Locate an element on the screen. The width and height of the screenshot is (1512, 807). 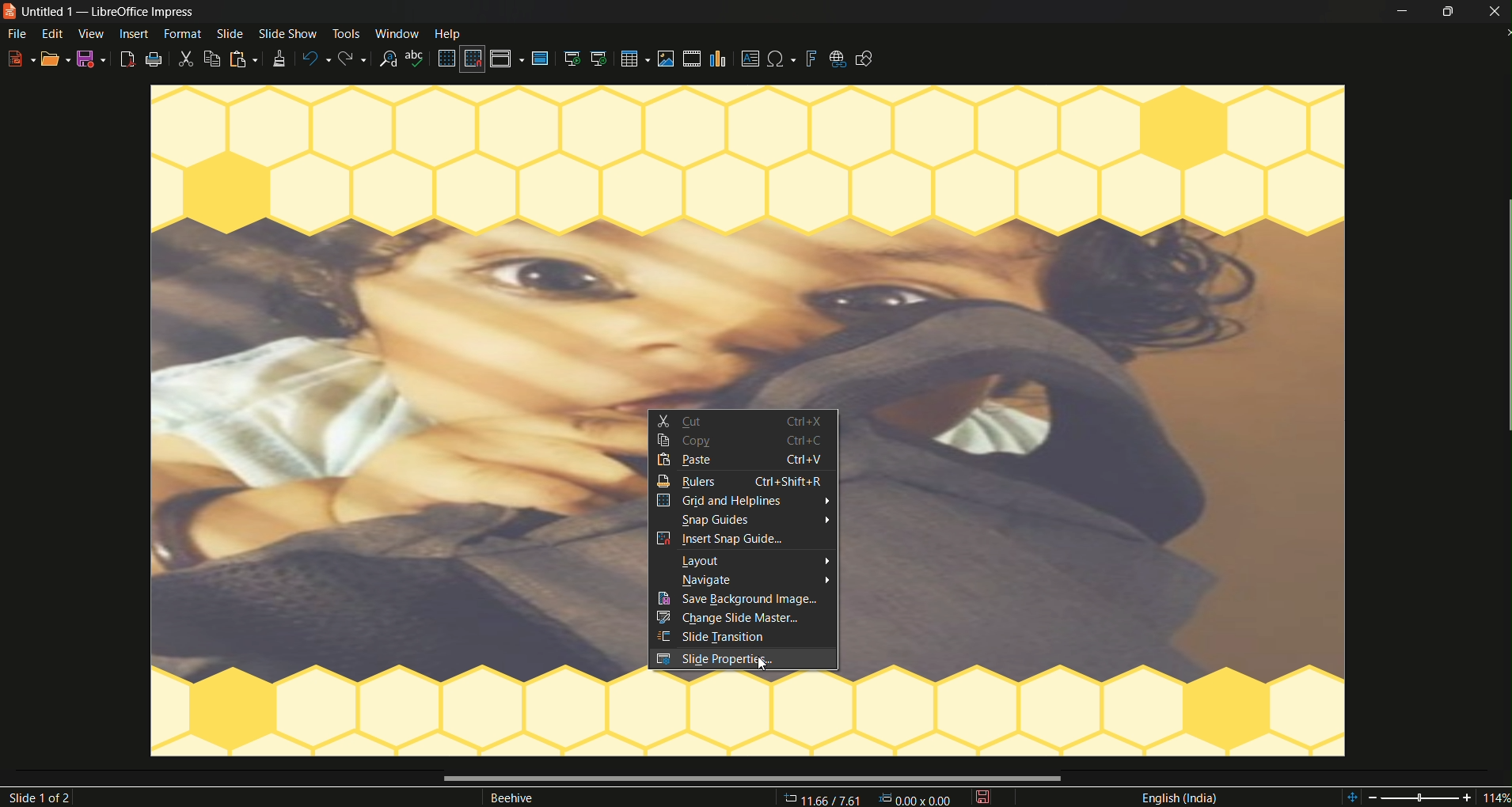
save background is located at coordinates (739, 599).